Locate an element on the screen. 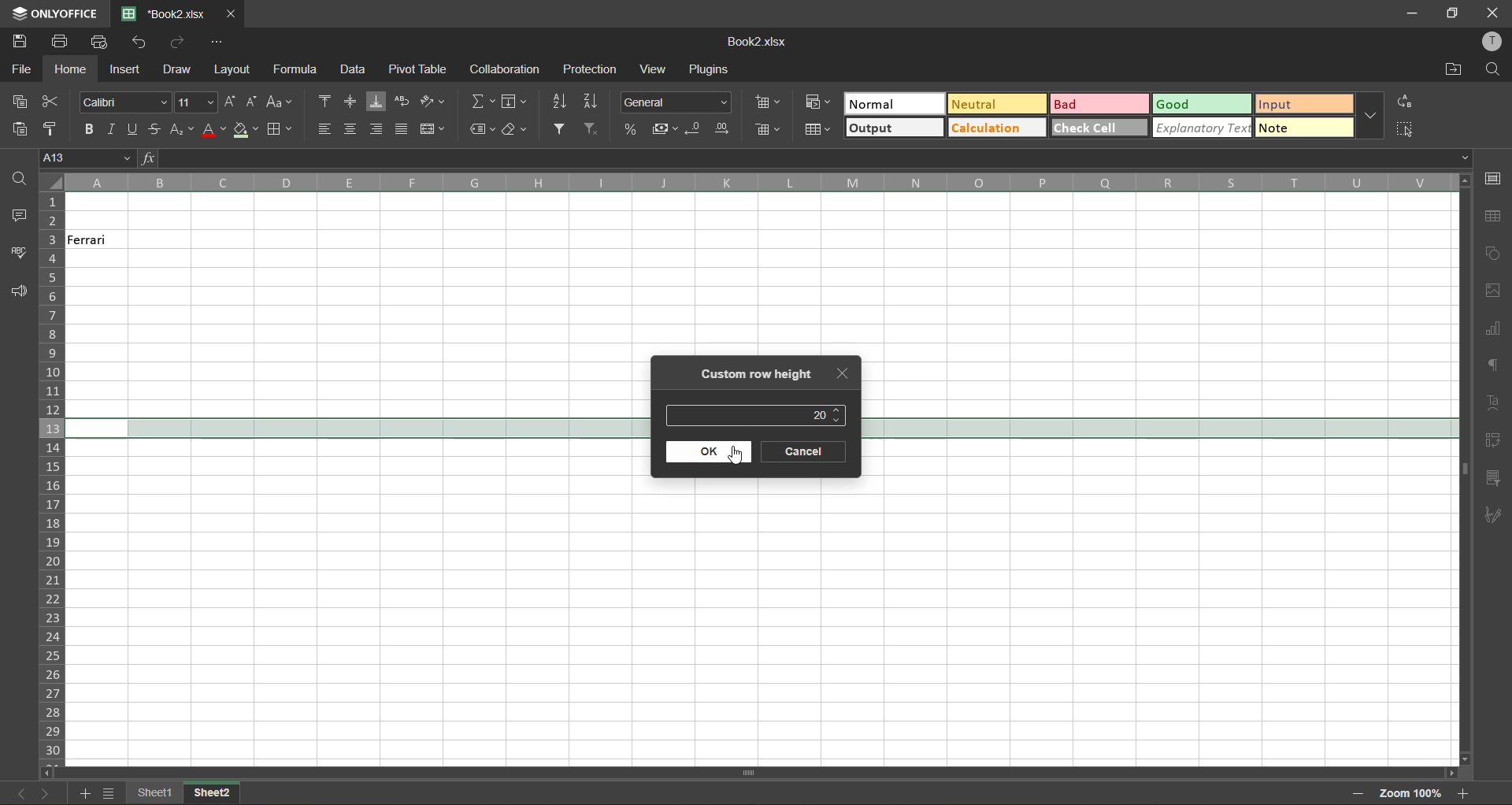  Ferrari is located at coordinates (99, 240).